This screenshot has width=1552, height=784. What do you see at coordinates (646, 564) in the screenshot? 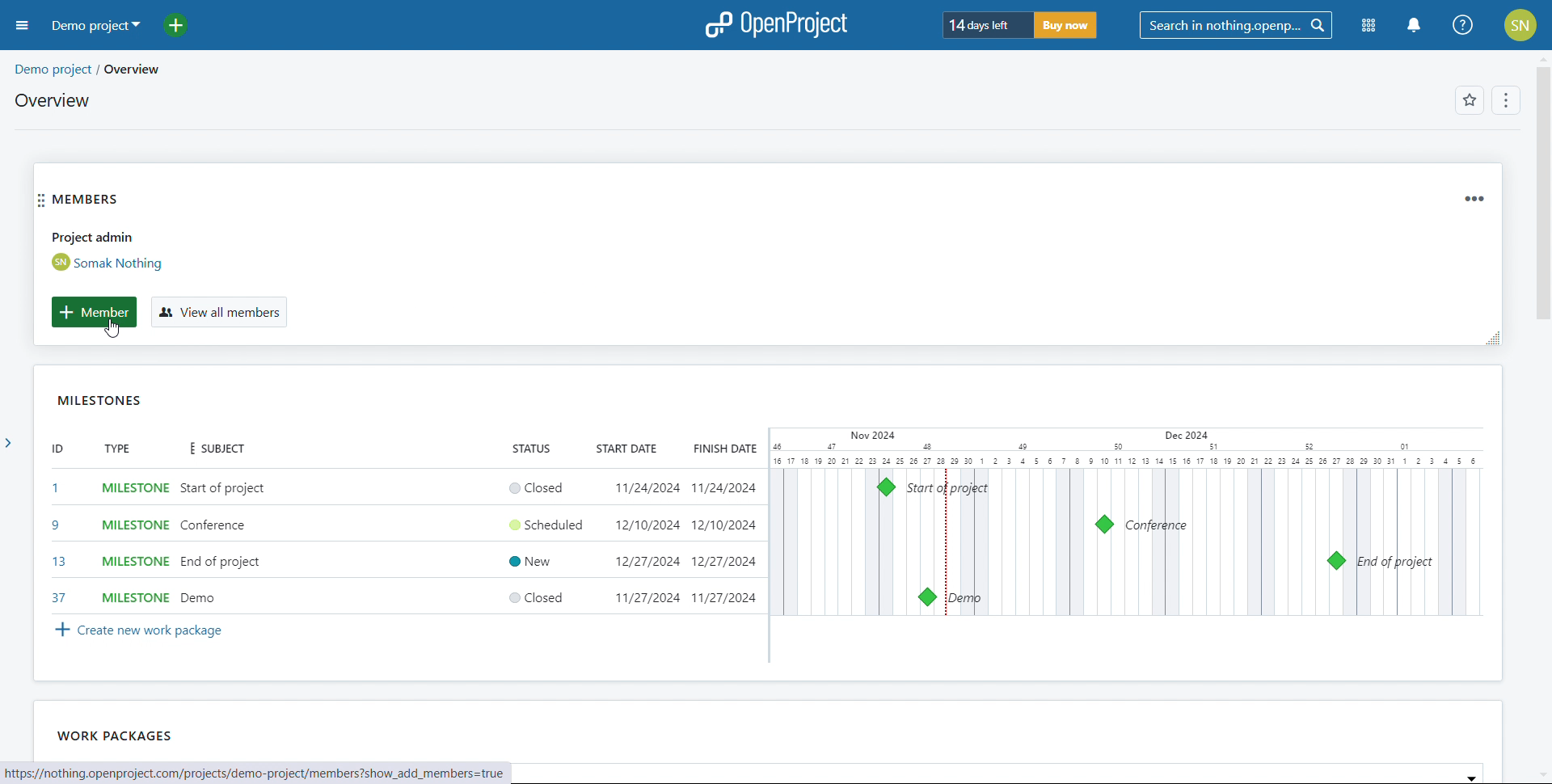
I see `12/27/2024` at bounding box center [646, 564].